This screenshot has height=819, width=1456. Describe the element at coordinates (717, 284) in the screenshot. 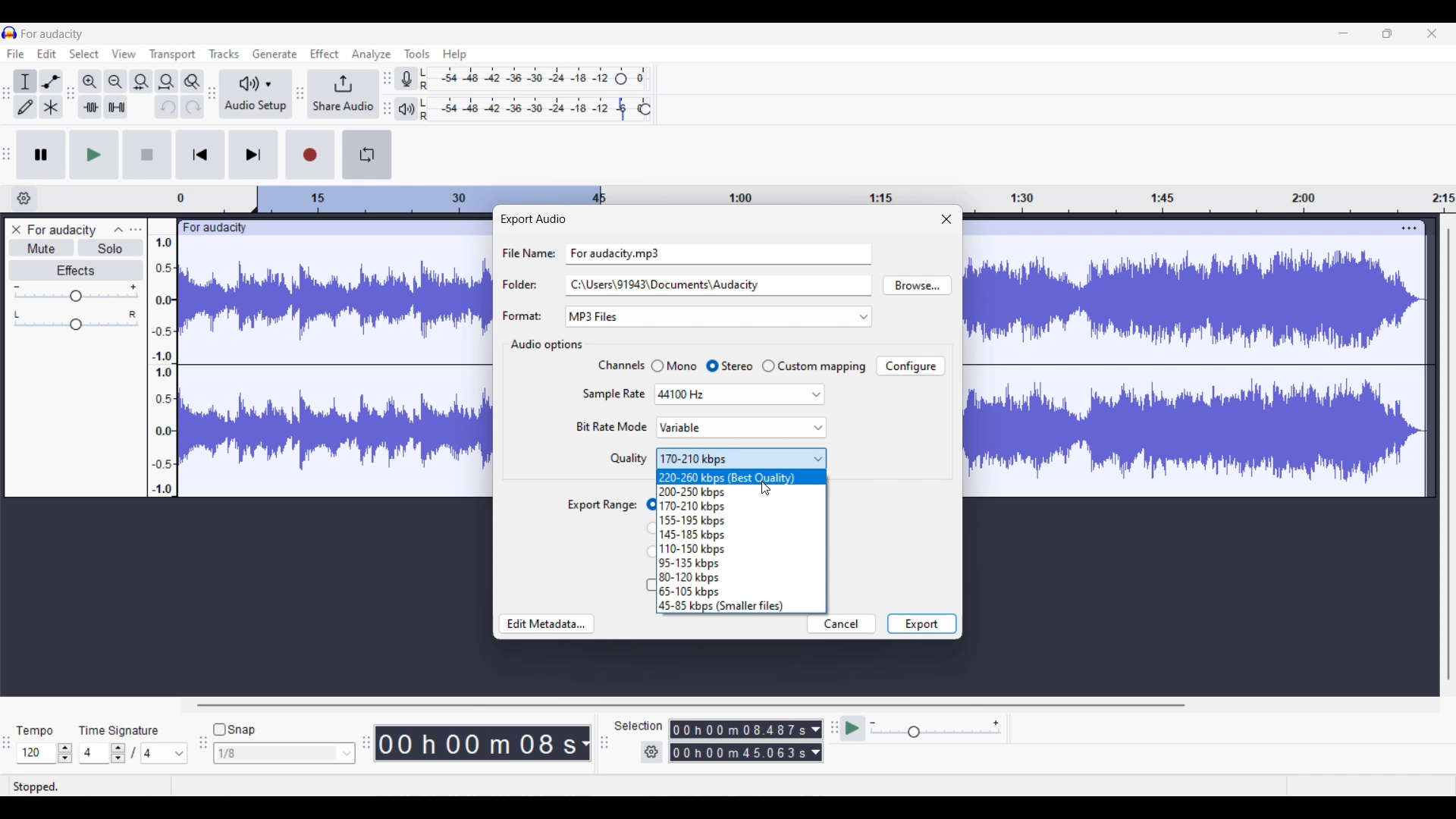

I see `Text box for Folders` at that location.